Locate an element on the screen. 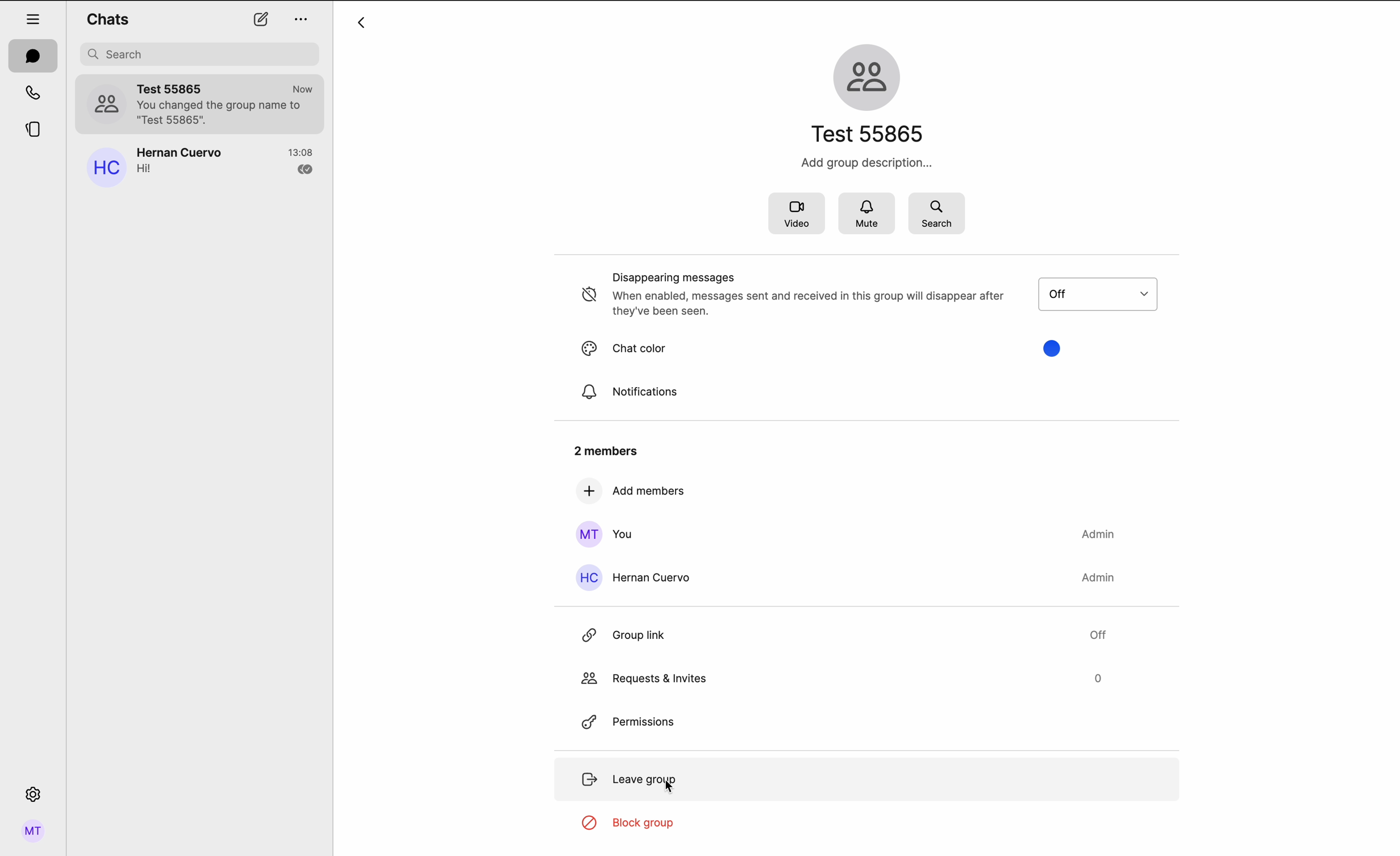 This screenshot has width=1400, height=856. notifications is located at coordinates (629, 393).